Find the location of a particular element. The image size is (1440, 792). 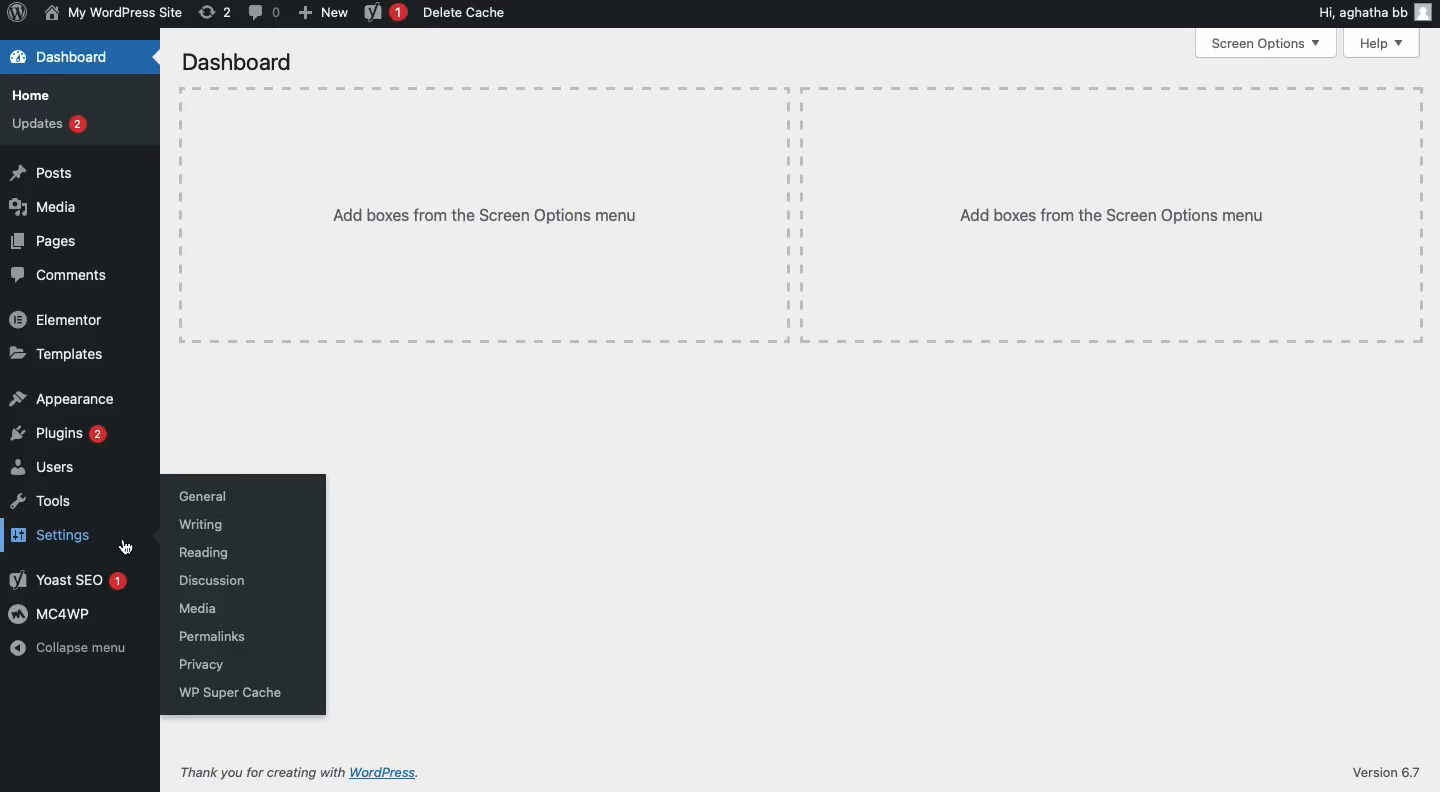

Writing is located at coordinates (199, 524).